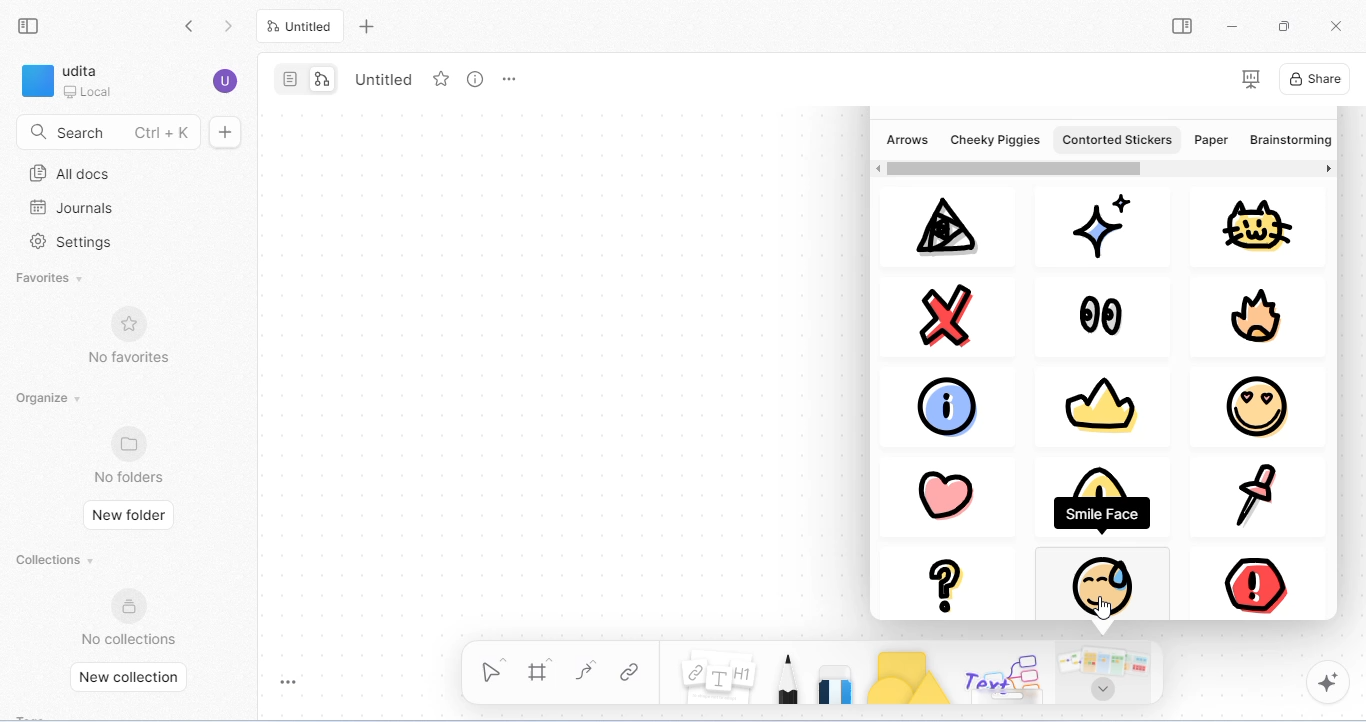 The height and width of the screenshot is (722, 1366). I want to click on page mode, so click(291, 79).